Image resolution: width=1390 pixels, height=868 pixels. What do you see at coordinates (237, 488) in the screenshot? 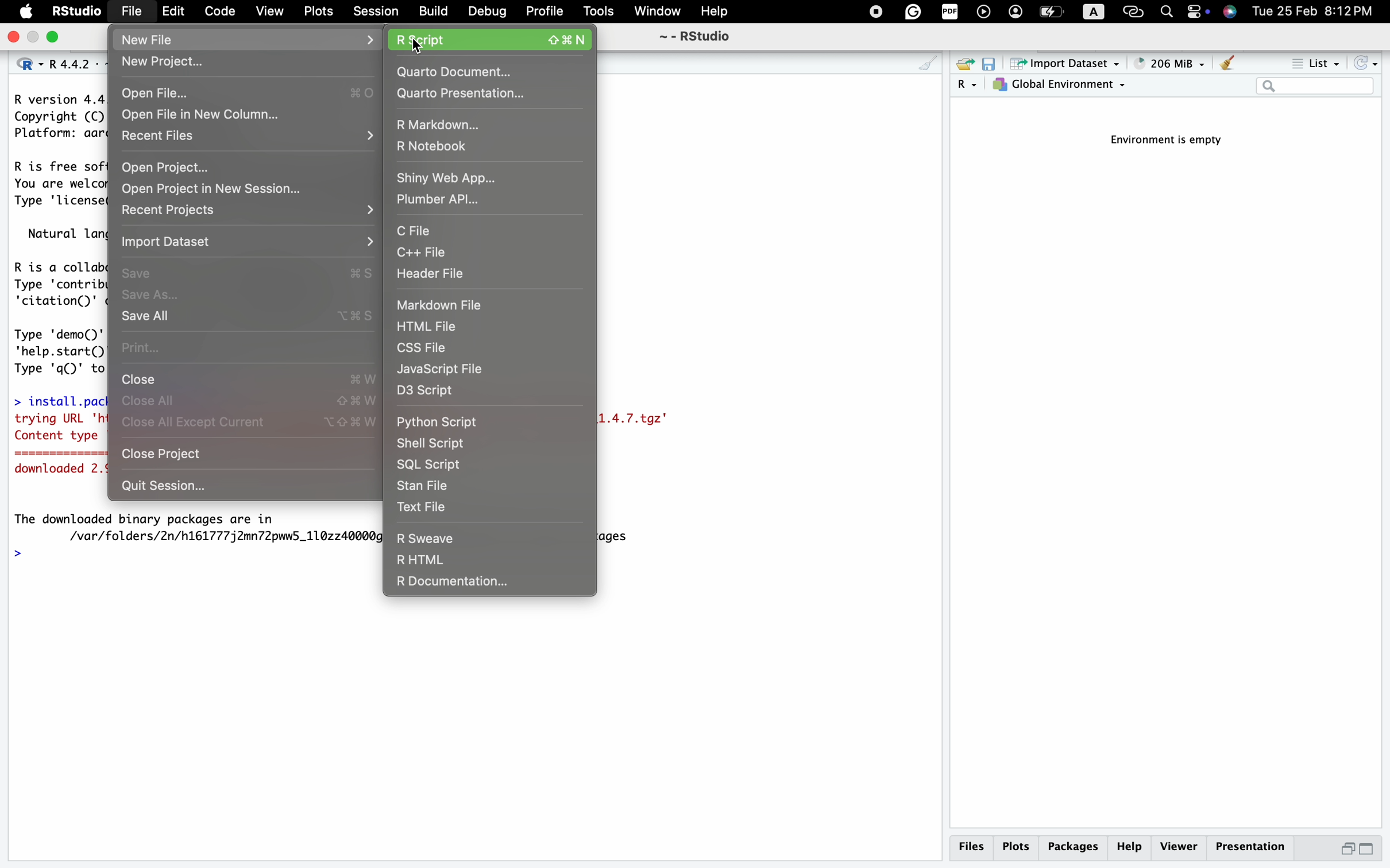
I see `quit session` at bounding box center [237, 488].